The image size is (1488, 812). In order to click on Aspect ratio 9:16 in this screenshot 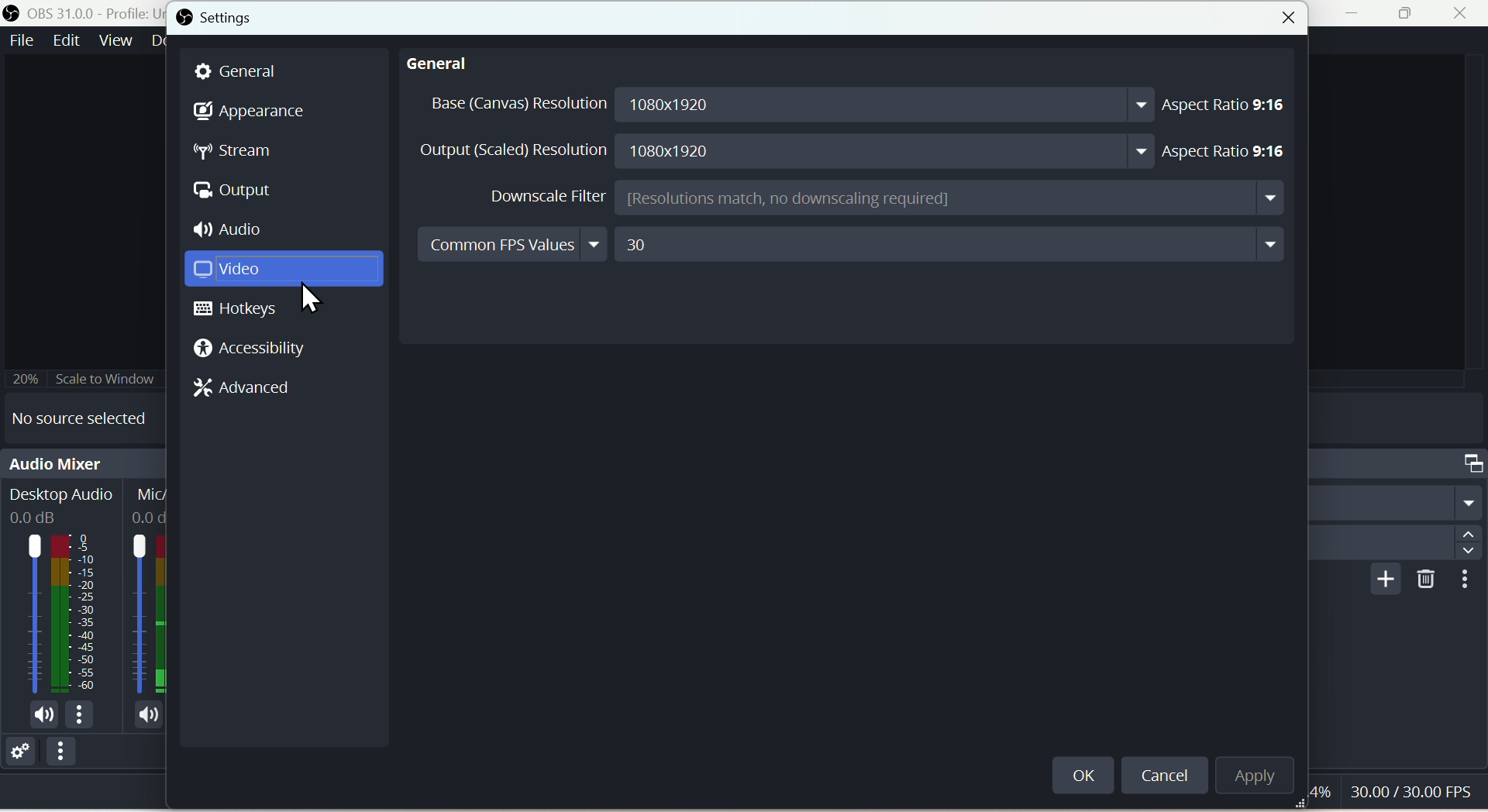, I will do `click(1231, 105)`.